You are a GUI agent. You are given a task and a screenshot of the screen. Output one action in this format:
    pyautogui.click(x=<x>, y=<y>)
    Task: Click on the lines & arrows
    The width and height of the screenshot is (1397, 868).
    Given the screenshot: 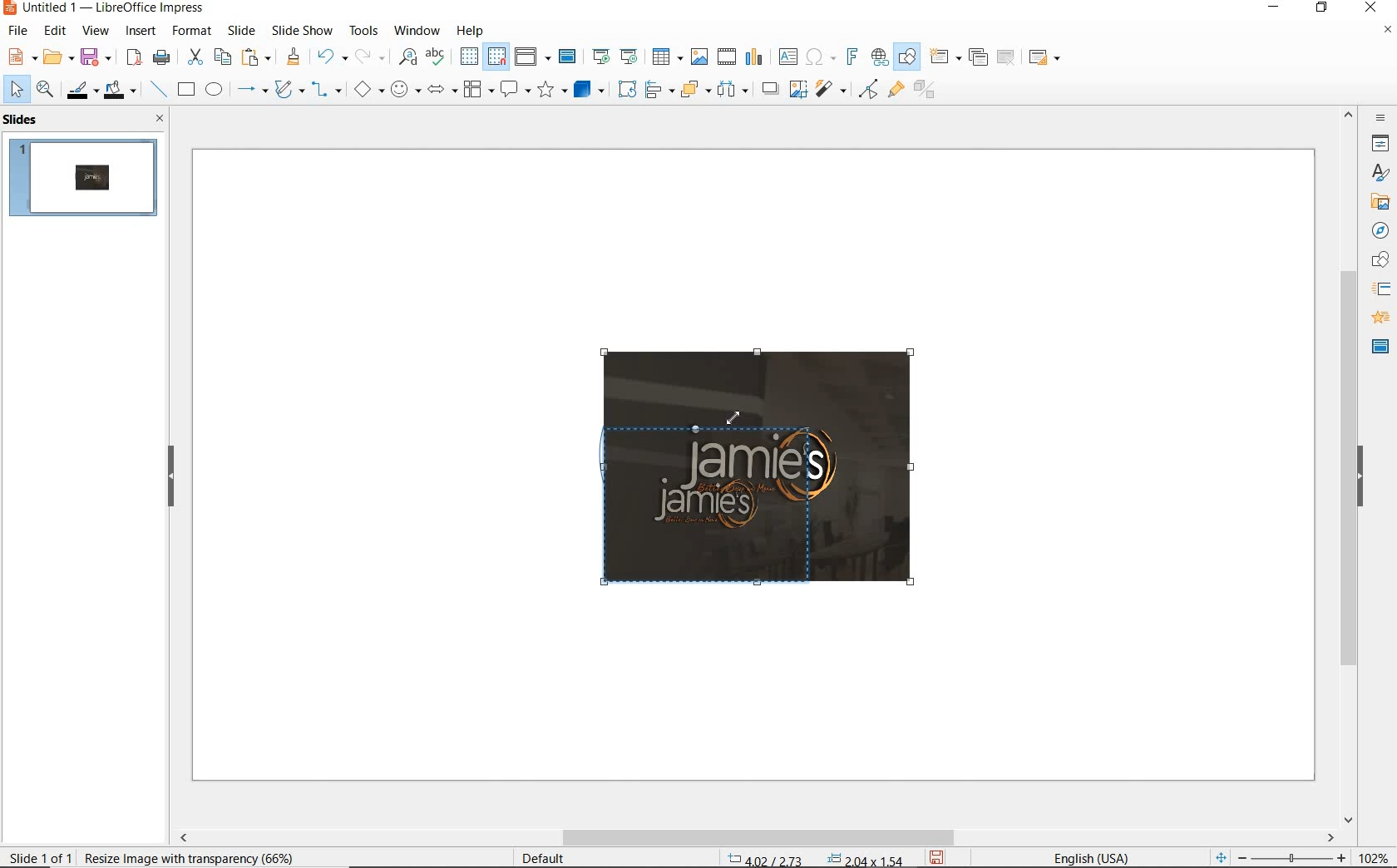 What is the action you would take?
    pyautogui.click(x=251, y=91)
    